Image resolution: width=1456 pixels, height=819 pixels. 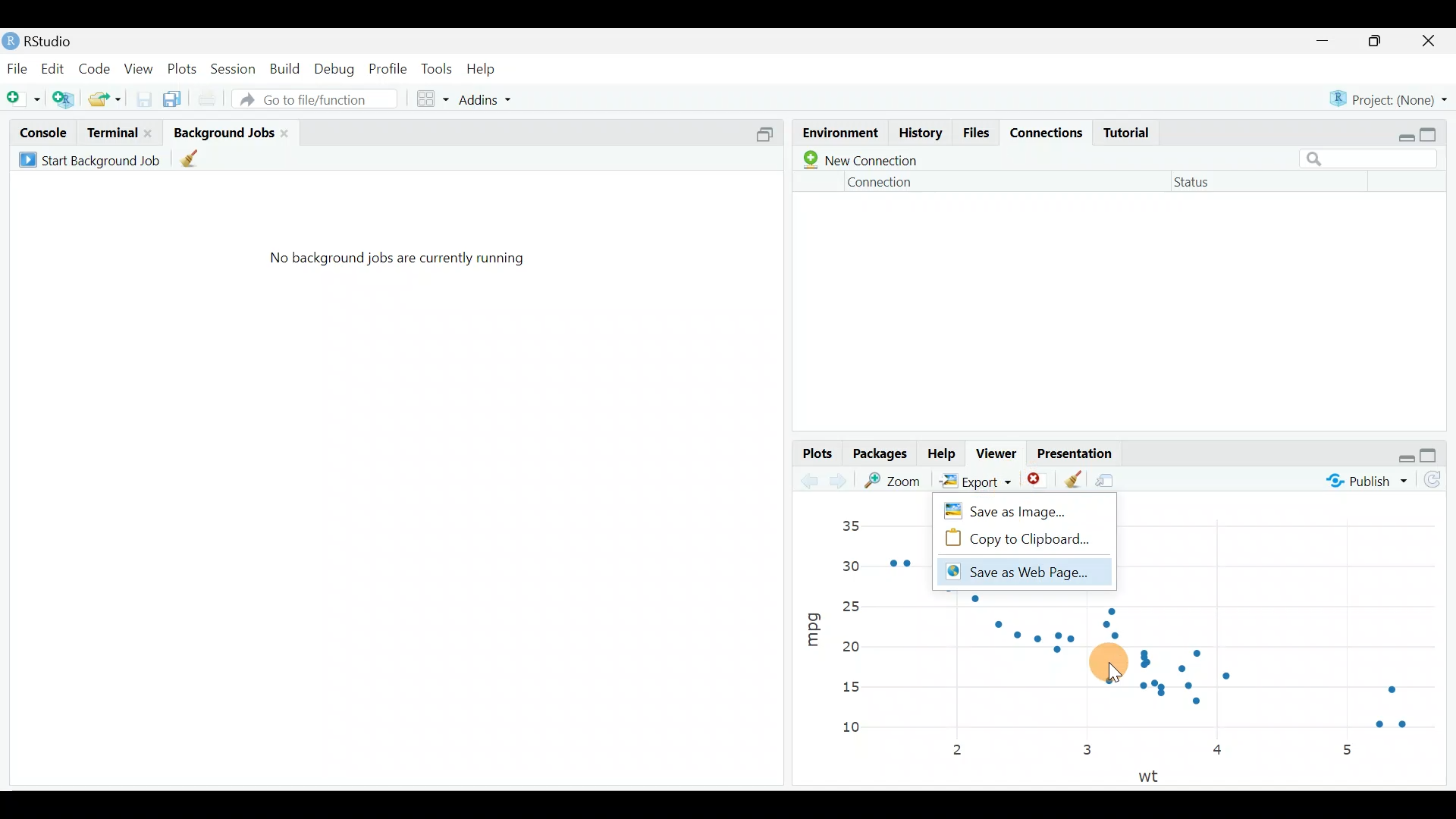 I want to click on Project (None), so click(x=1389, y=98).